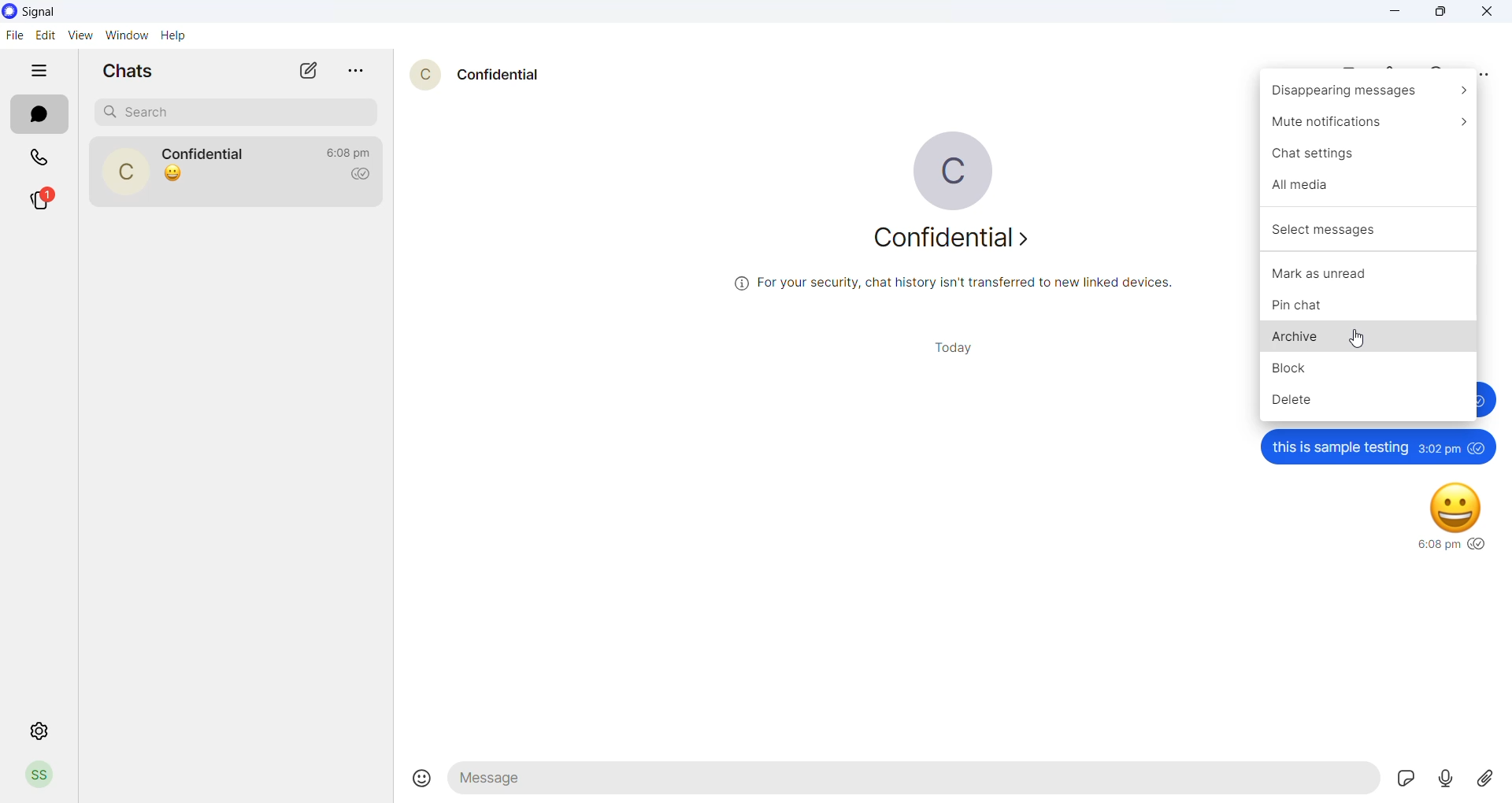  Describe the element at coordinates (943, 350) in the screenshot. I see `today heading` at that location.